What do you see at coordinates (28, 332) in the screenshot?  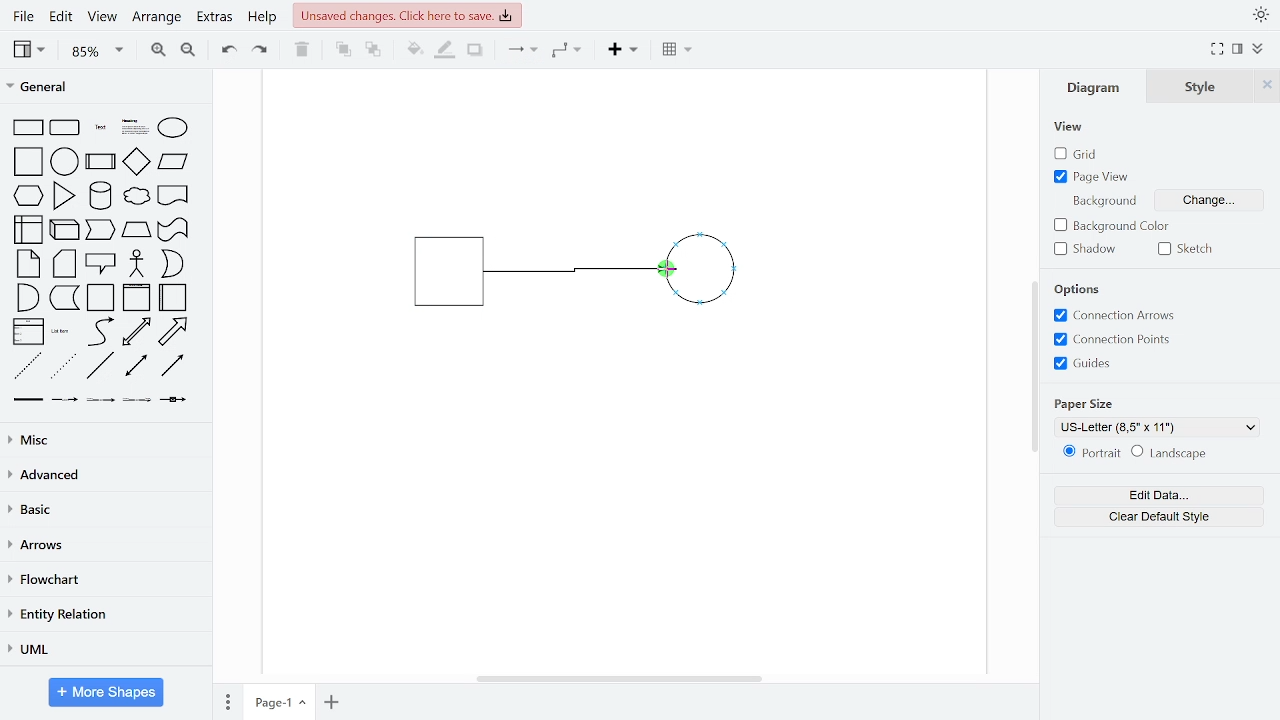 I see `list` at bounding box center [28, 332].